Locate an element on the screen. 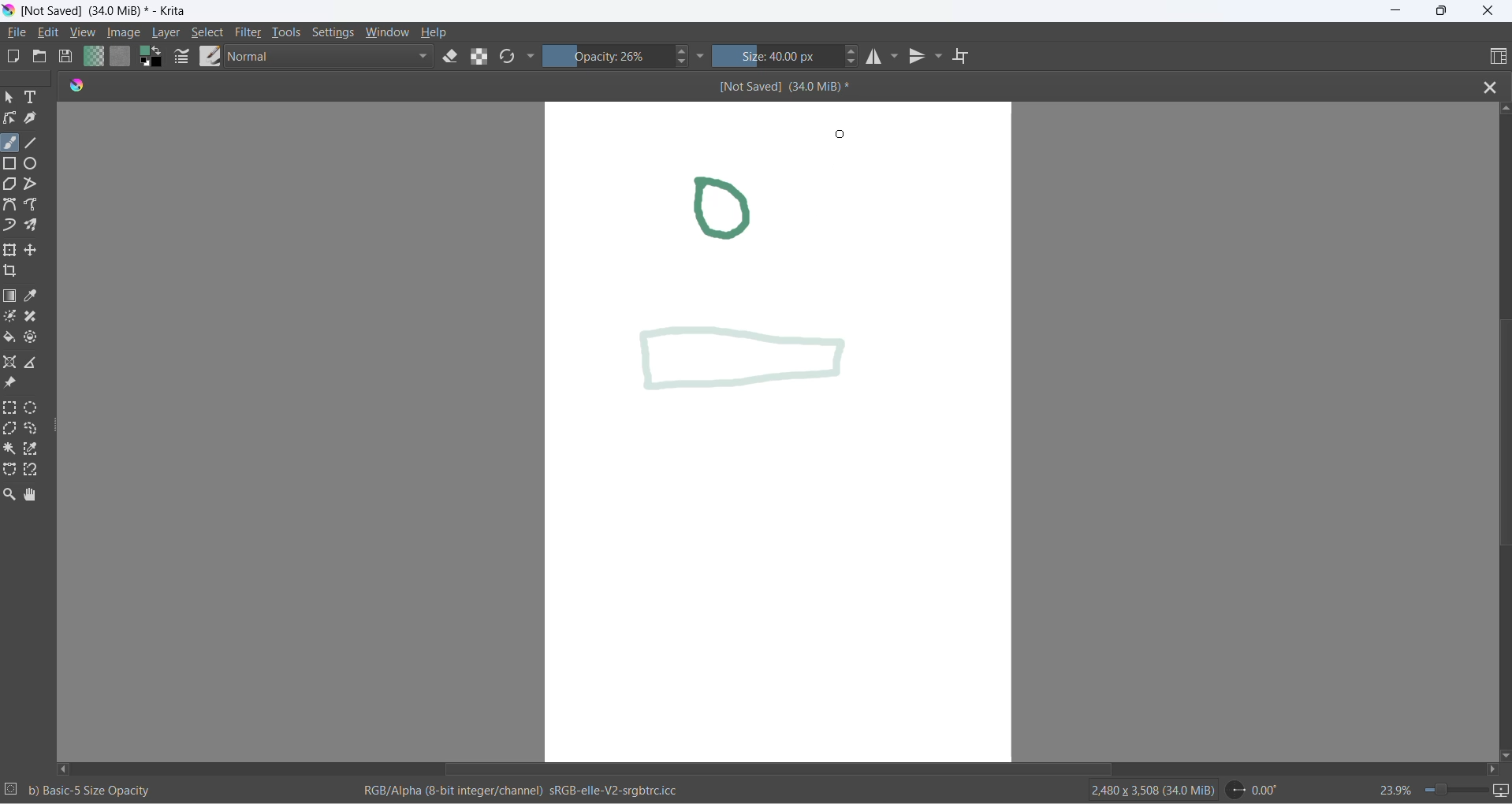  reload original presets is located at coordinates (508, 56).